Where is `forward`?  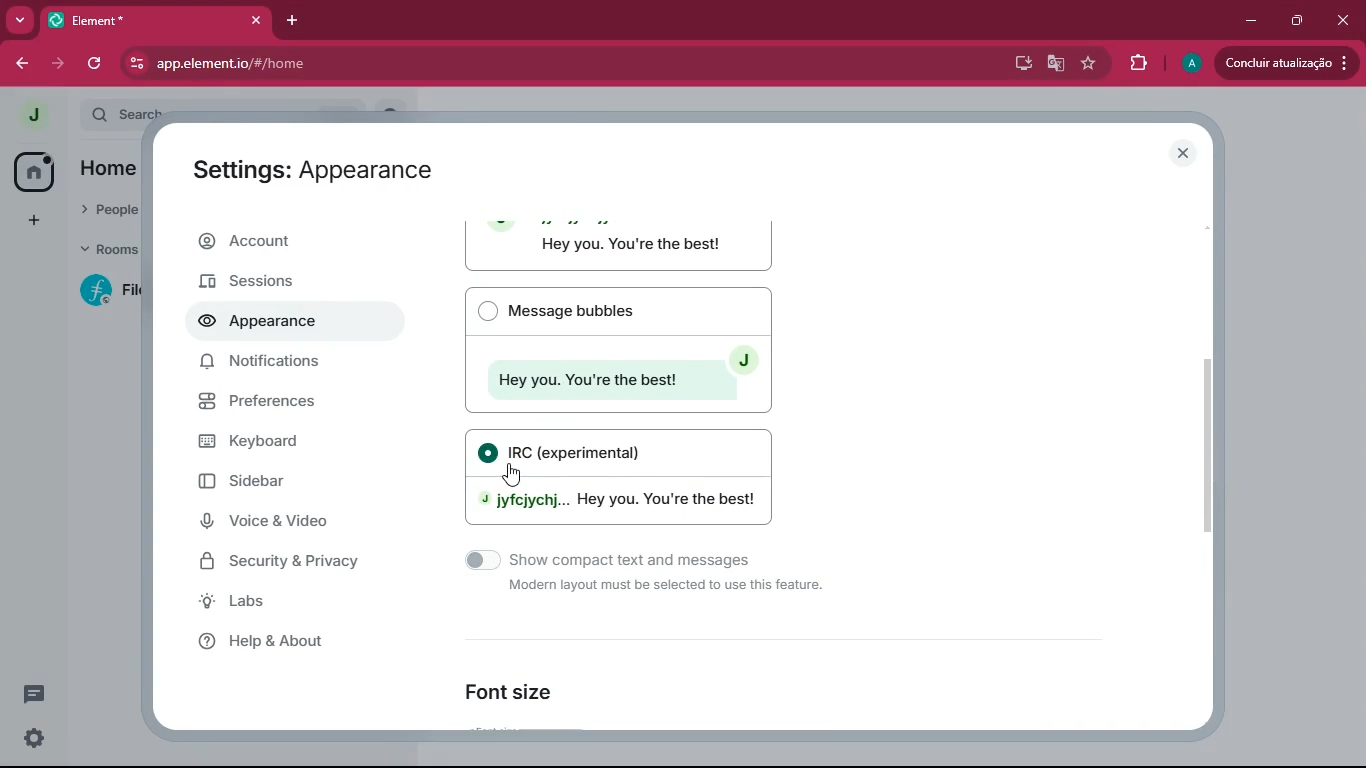 forward is located at coordinates (61, 65).